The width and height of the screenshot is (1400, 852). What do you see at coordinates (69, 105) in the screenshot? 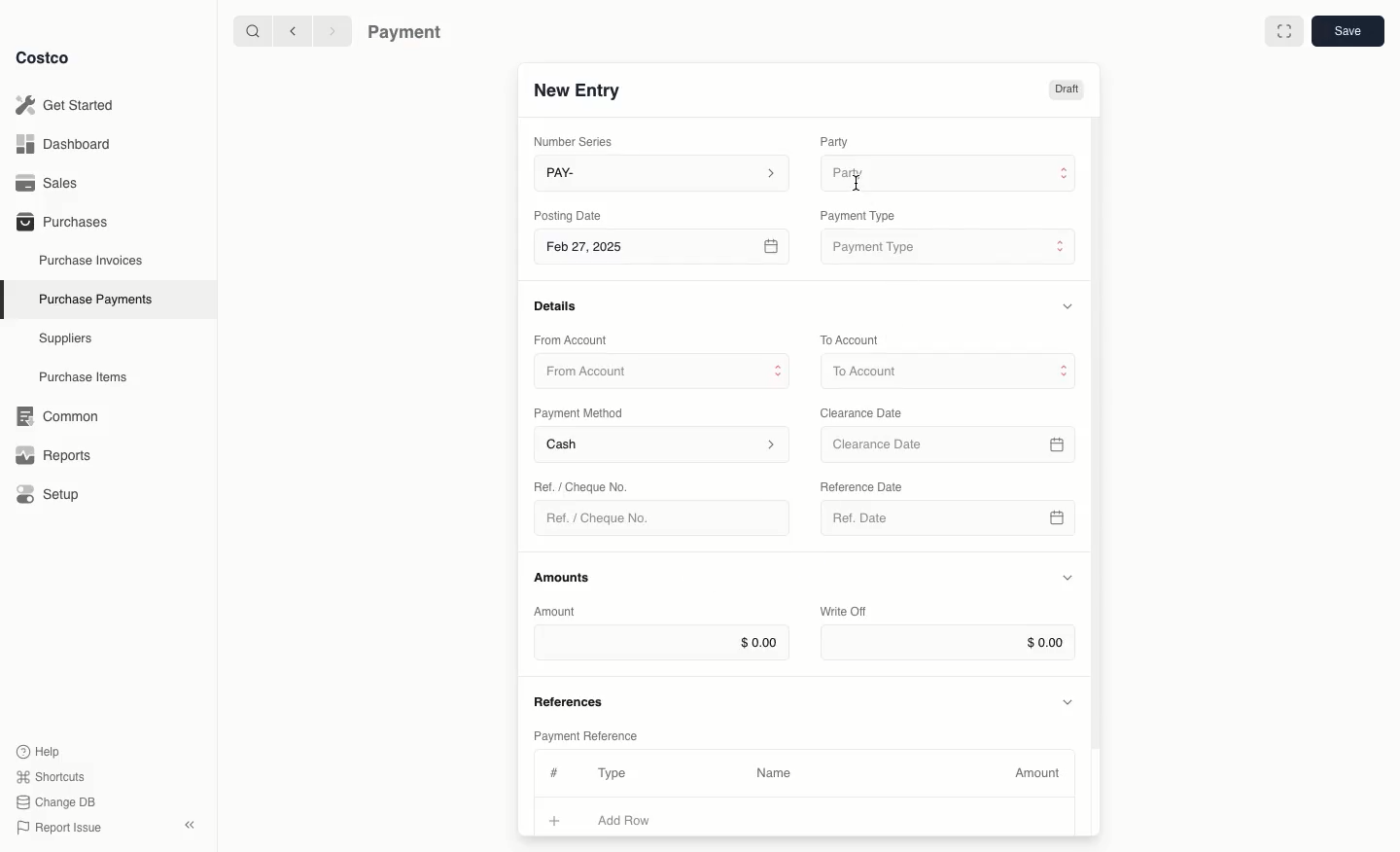
I see `Get Started` at bounding box center [69, 105].